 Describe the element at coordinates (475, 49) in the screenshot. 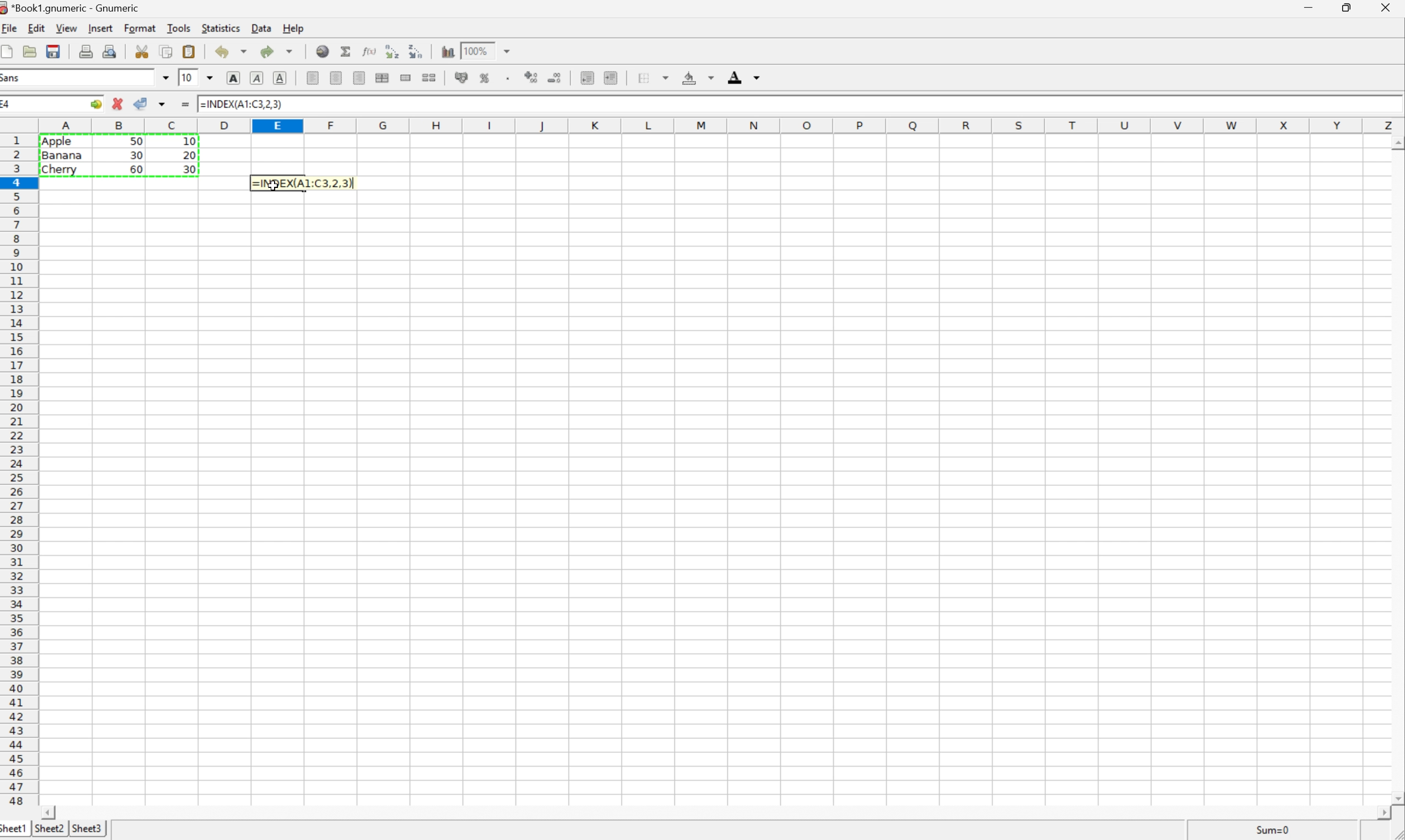

I see `100%` at that location.